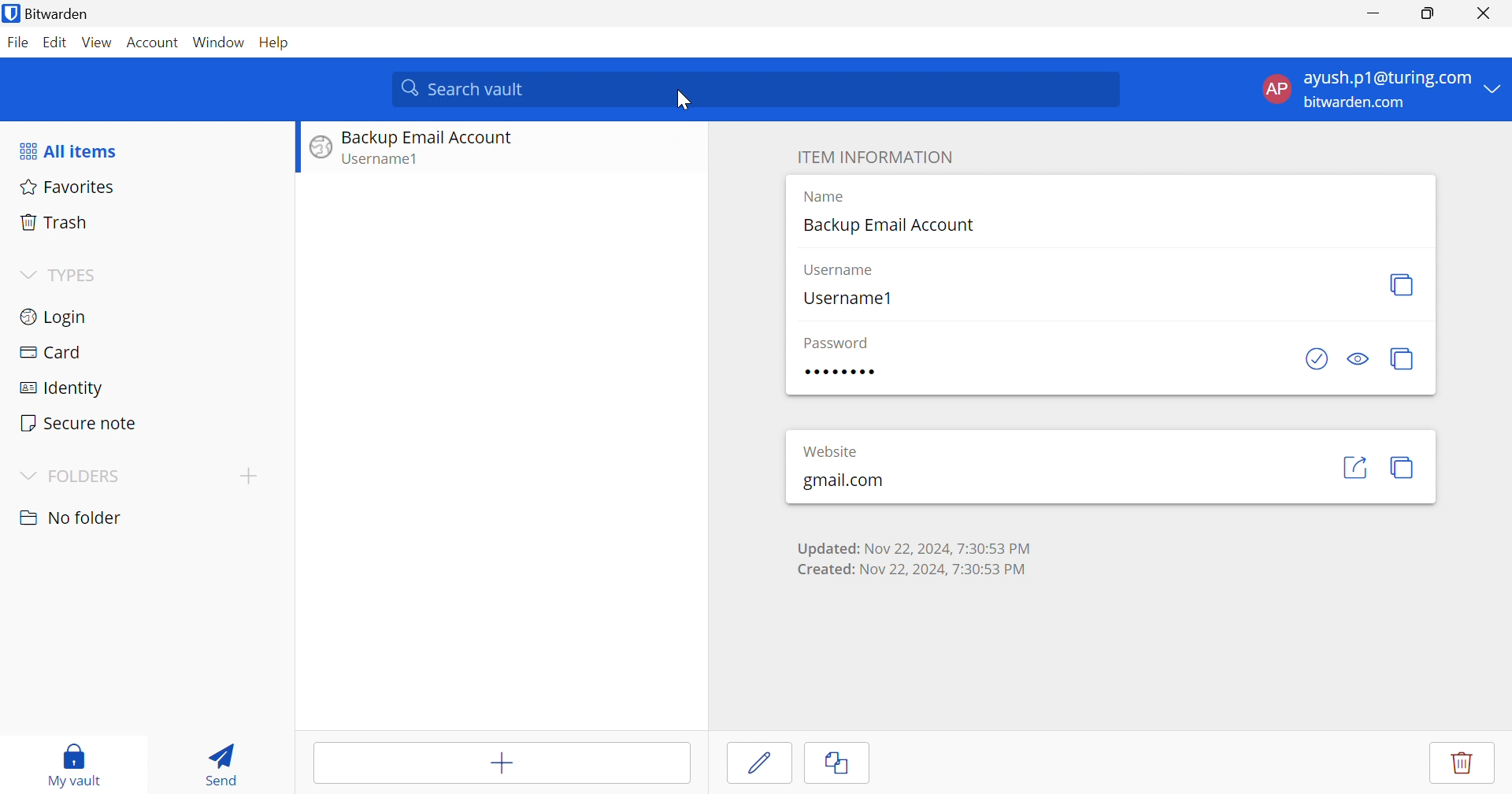 This screenshot has width=1512, height=794. I want to click on View, so click(98, 43).